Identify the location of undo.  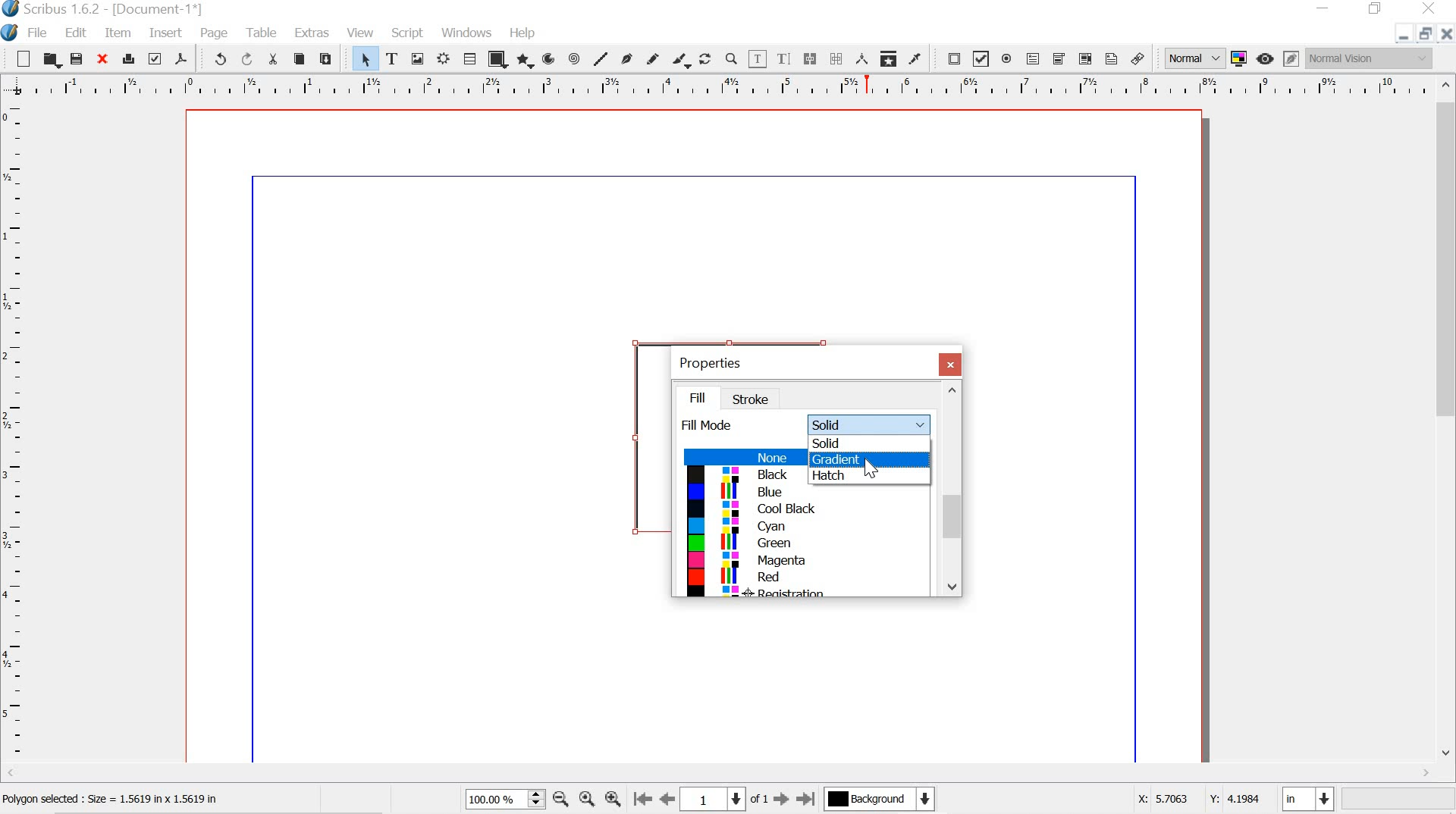
(218, 61).